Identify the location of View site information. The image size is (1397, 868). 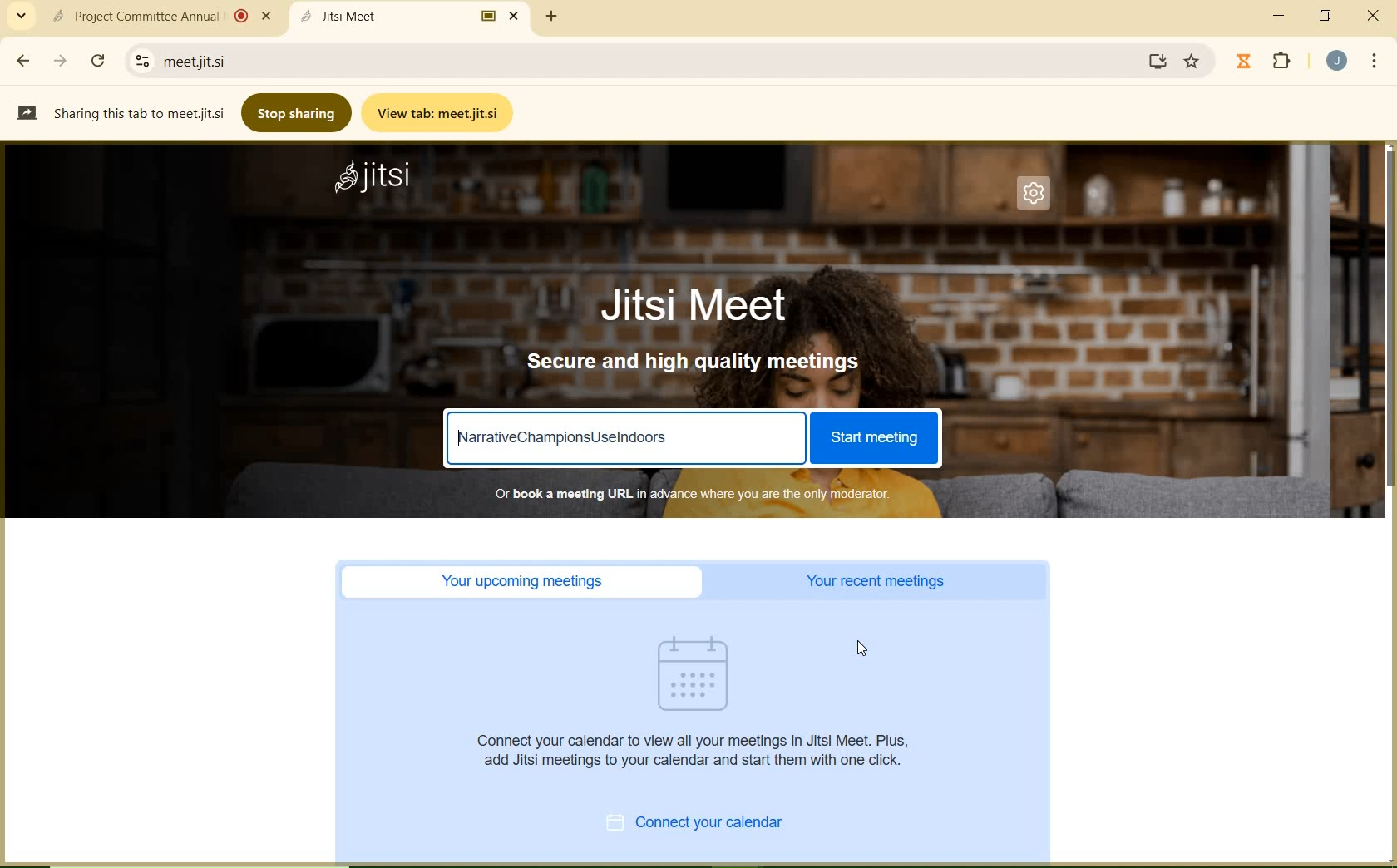
(141, 60).